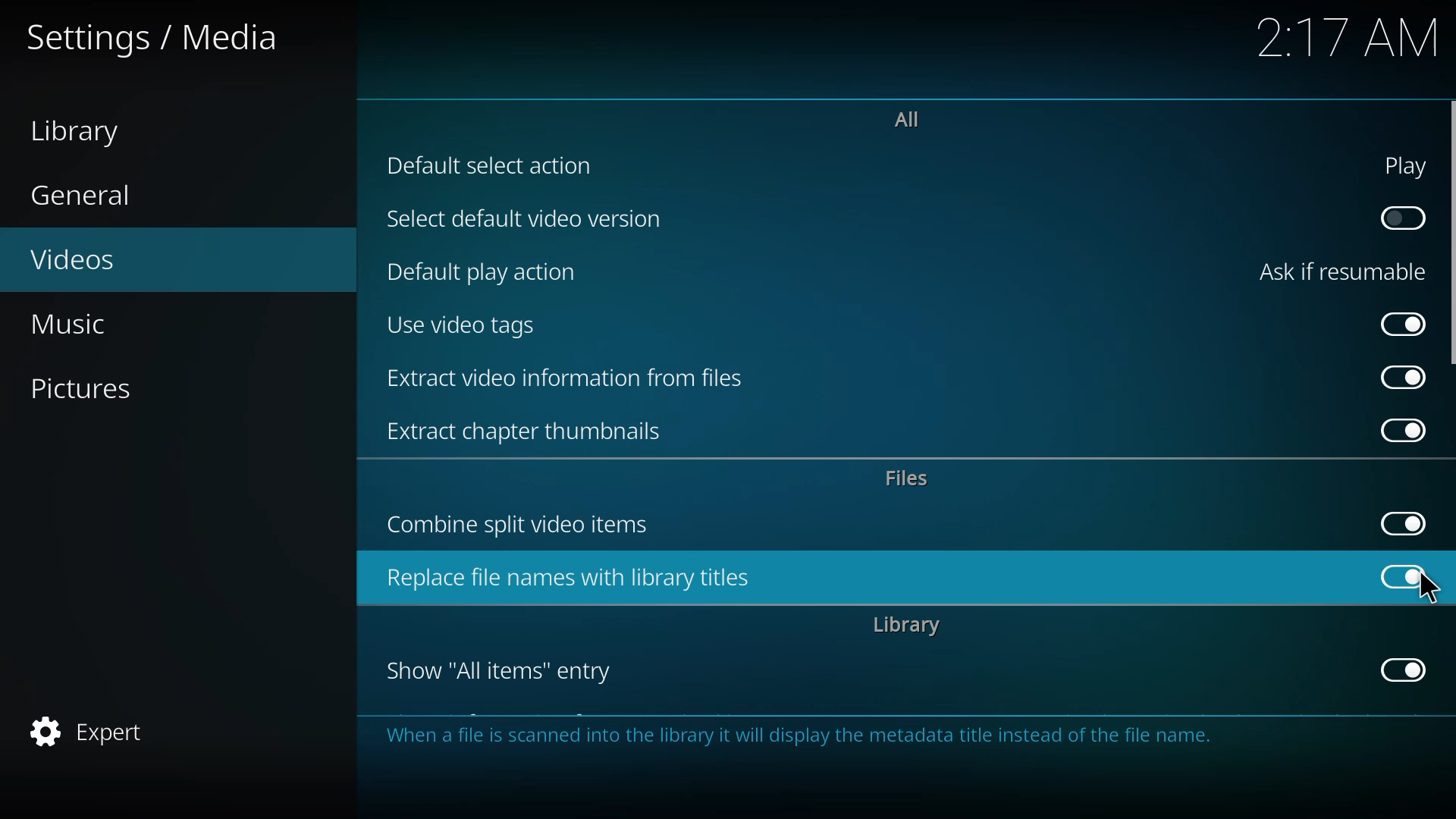  Describe the element at coordinates (1398, 165) in the screenshot. I see `play` at that location.